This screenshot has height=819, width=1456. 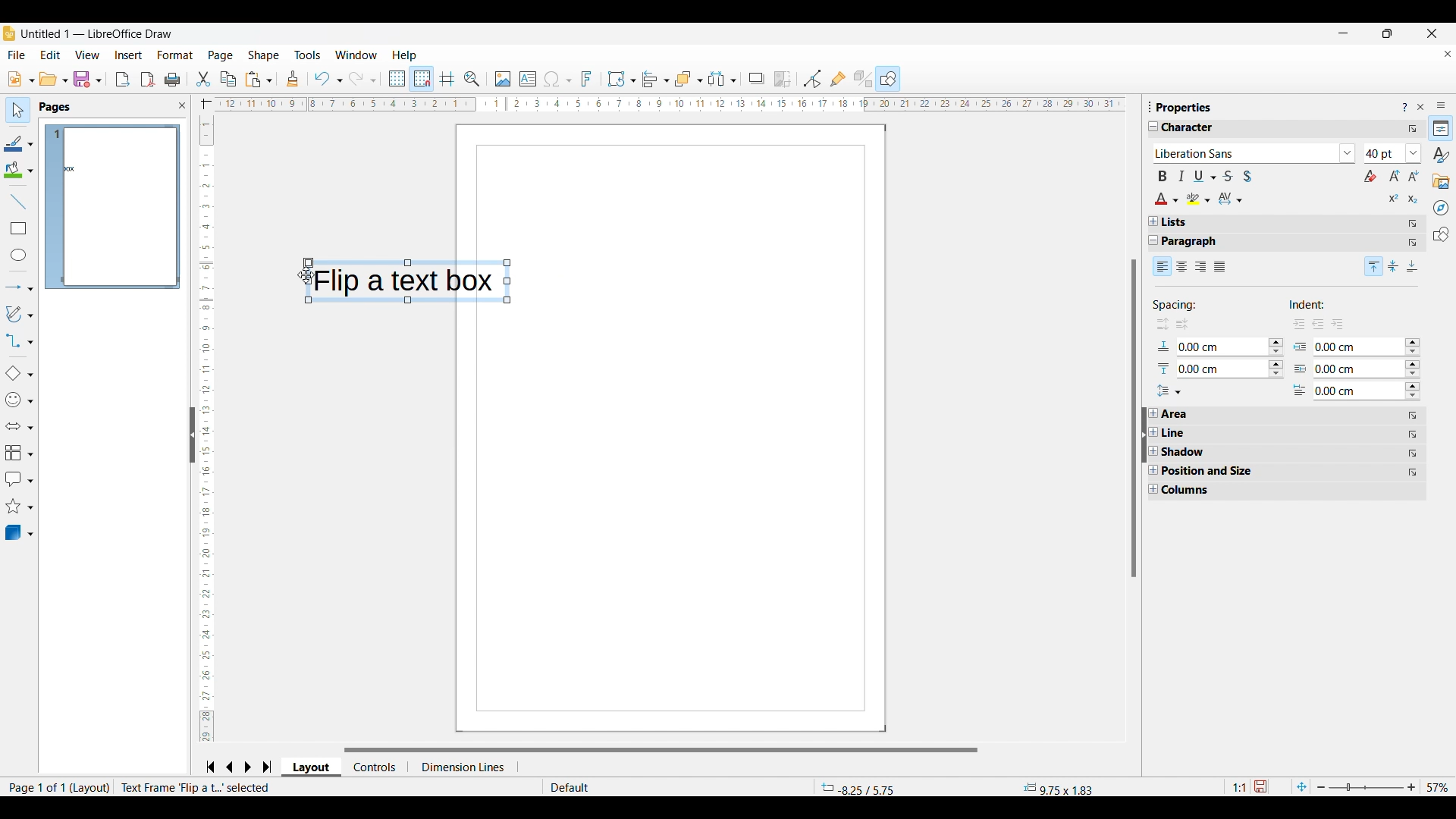 What do you see at coordinates (413, 281) in the screenshot?
I see `Flip a text box` at bounding box center [413, 281].